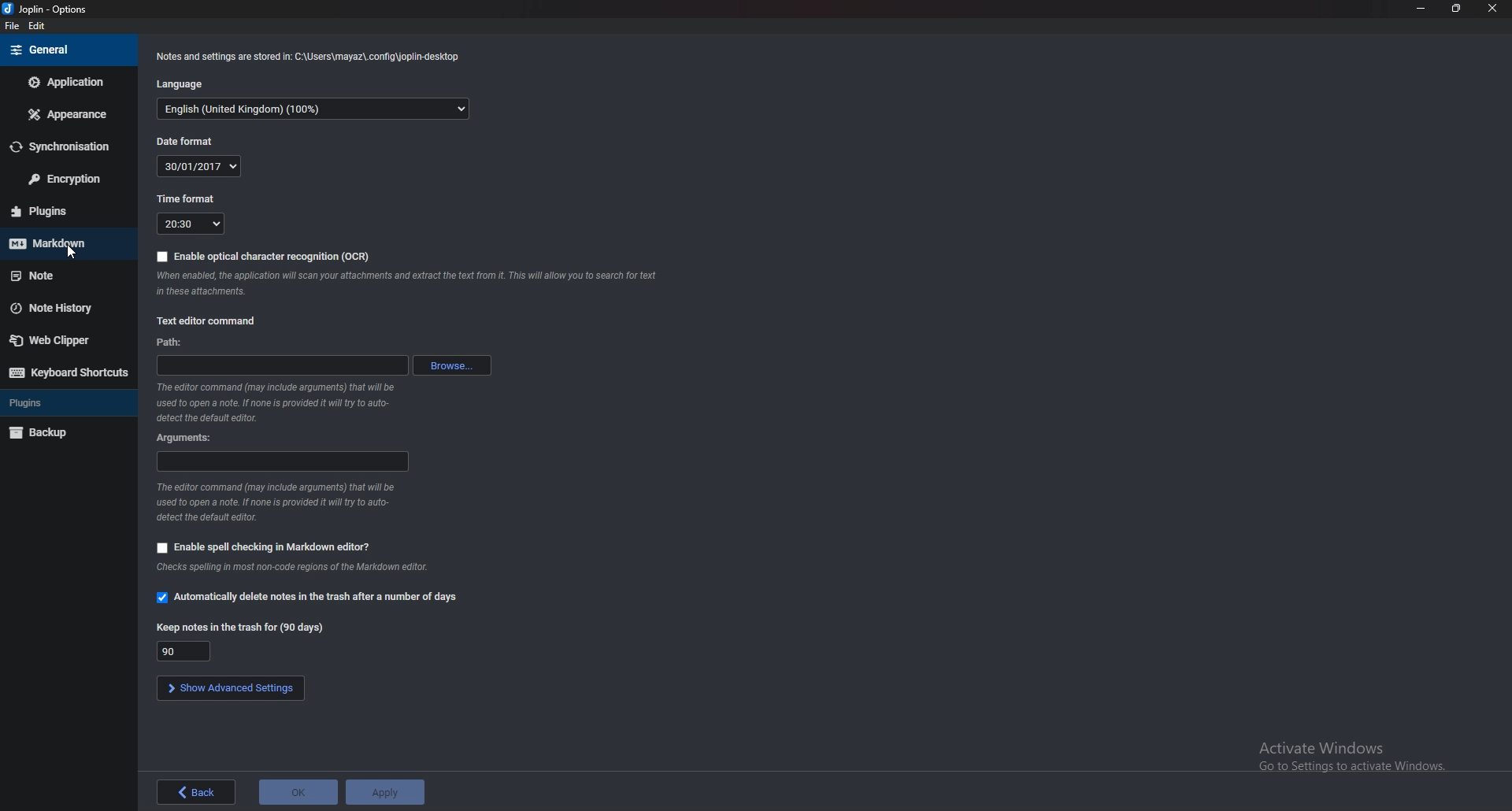  What do you see at coordinates (280, 365) in the screenshot?
I see `path` at bounding box center [280, 365].